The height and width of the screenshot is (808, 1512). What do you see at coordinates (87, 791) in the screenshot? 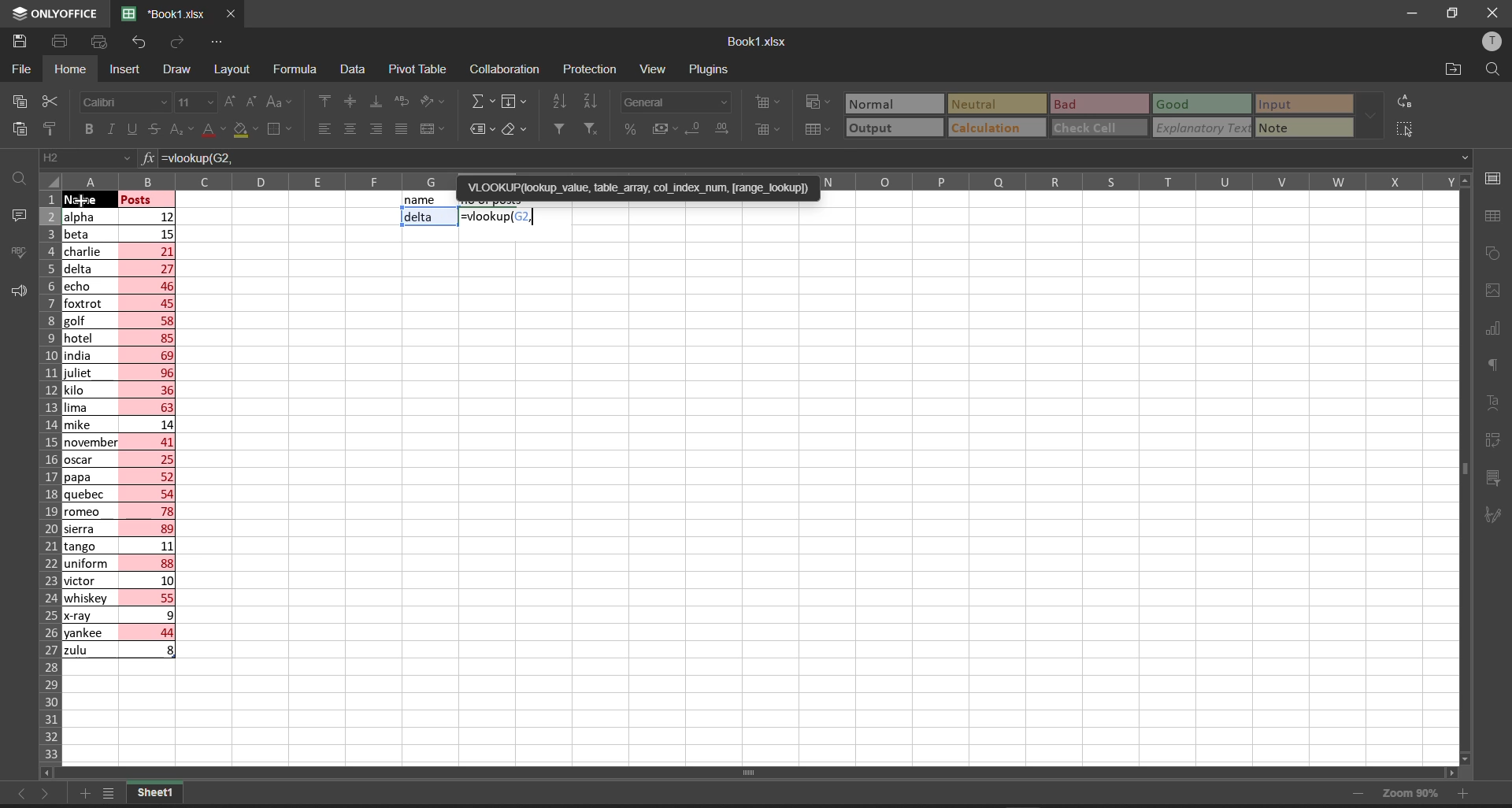
I see `add new tab` at bounding box center [87, 791].